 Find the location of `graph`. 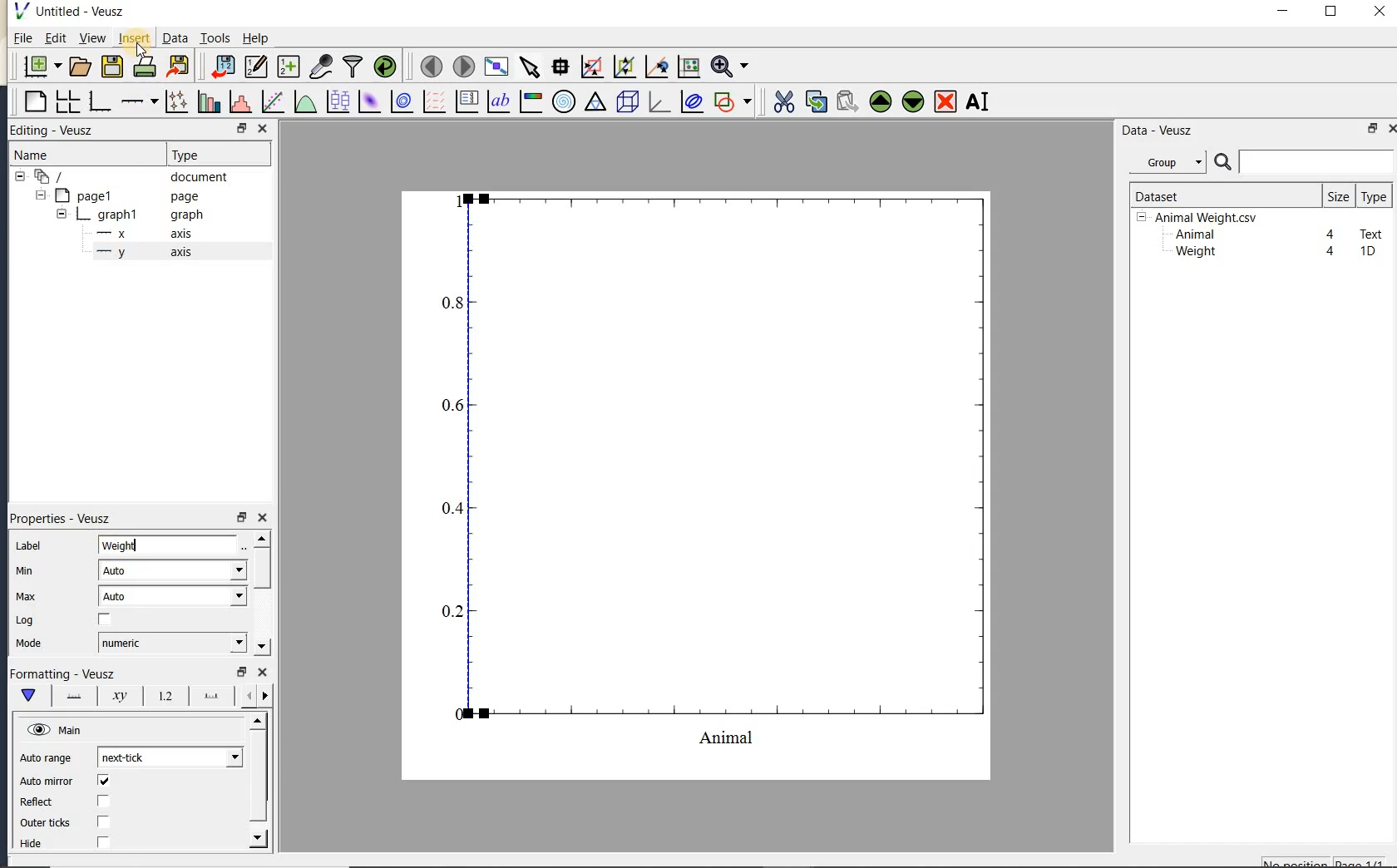

graph is located at coordinates (717, 469).